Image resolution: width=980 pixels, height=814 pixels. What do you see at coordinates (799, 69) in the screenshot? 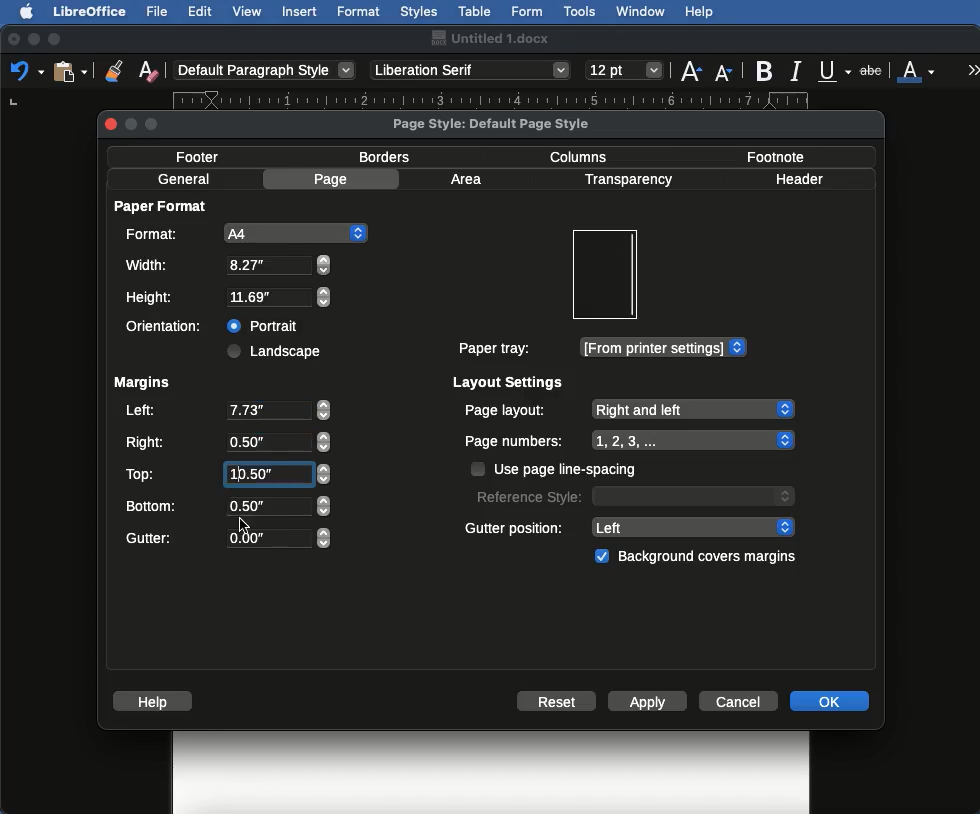
I see `Italics` at bounding box center [799, 69].